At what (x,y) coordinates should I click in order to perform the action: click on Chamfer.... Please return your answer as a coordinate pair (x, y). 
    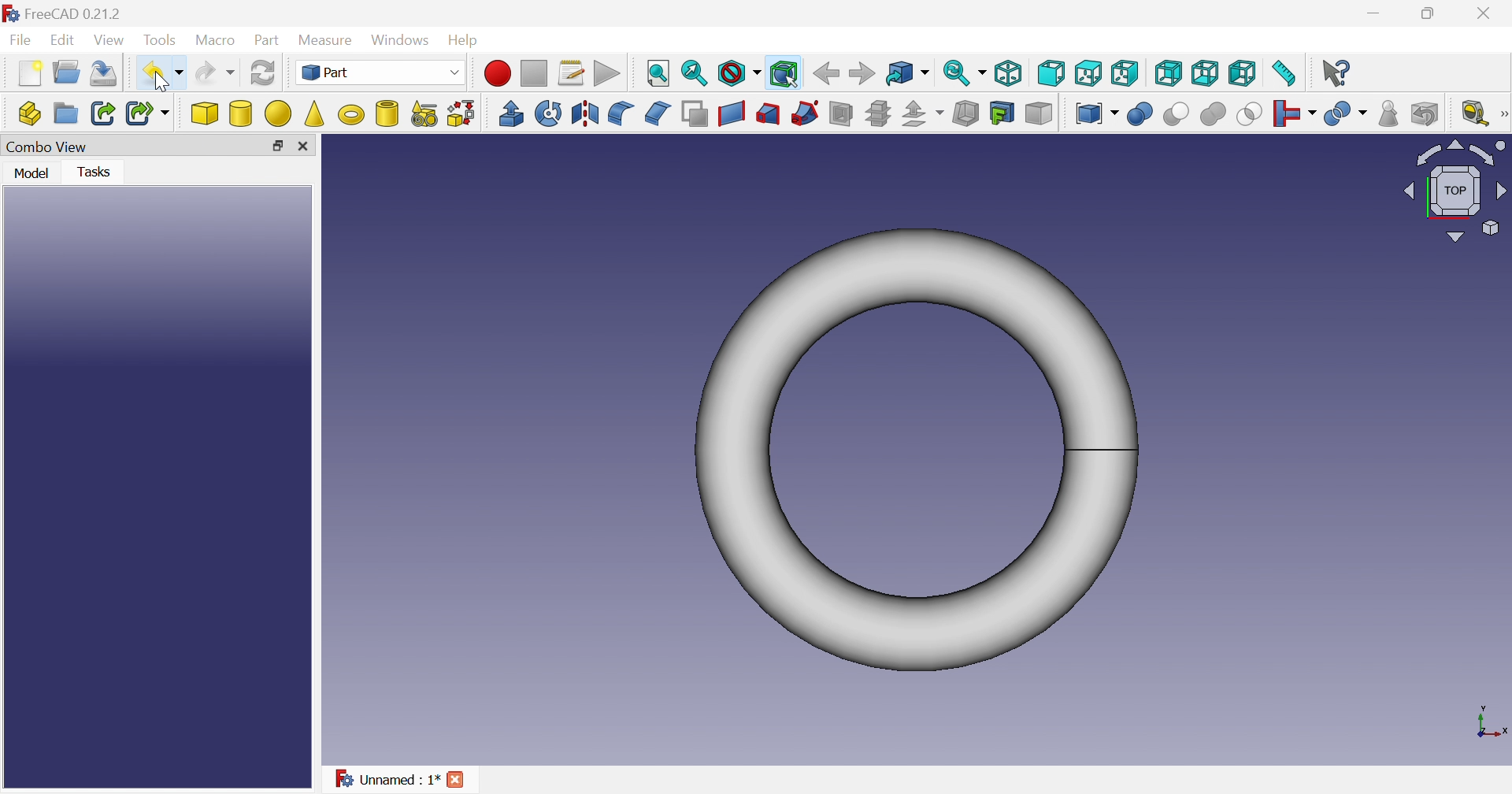
    Looking at the image, I should click on (658, 113).